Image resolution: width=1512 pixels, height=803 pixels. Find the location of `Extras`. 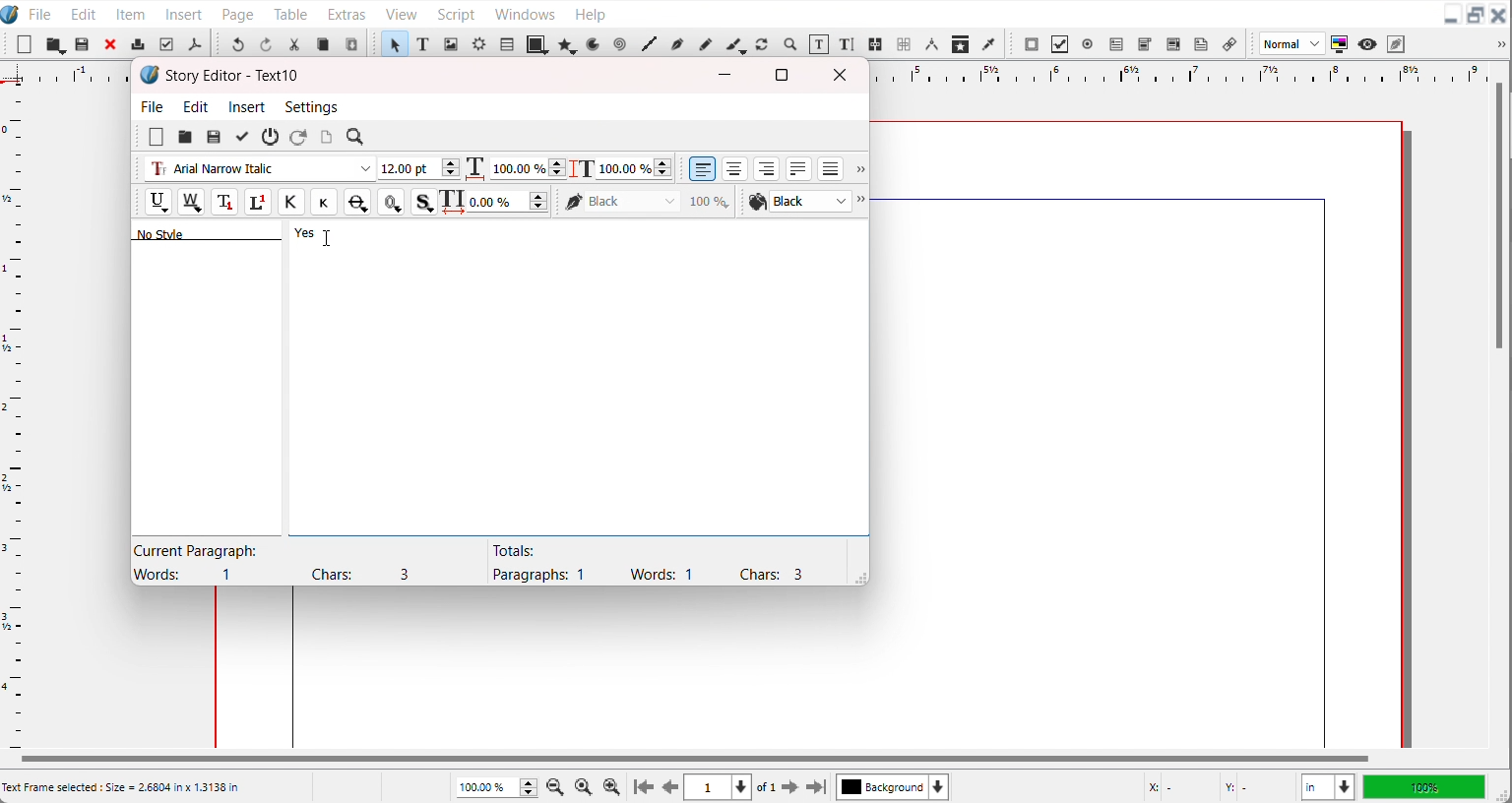

Extras is located at coordinates (346, 12).